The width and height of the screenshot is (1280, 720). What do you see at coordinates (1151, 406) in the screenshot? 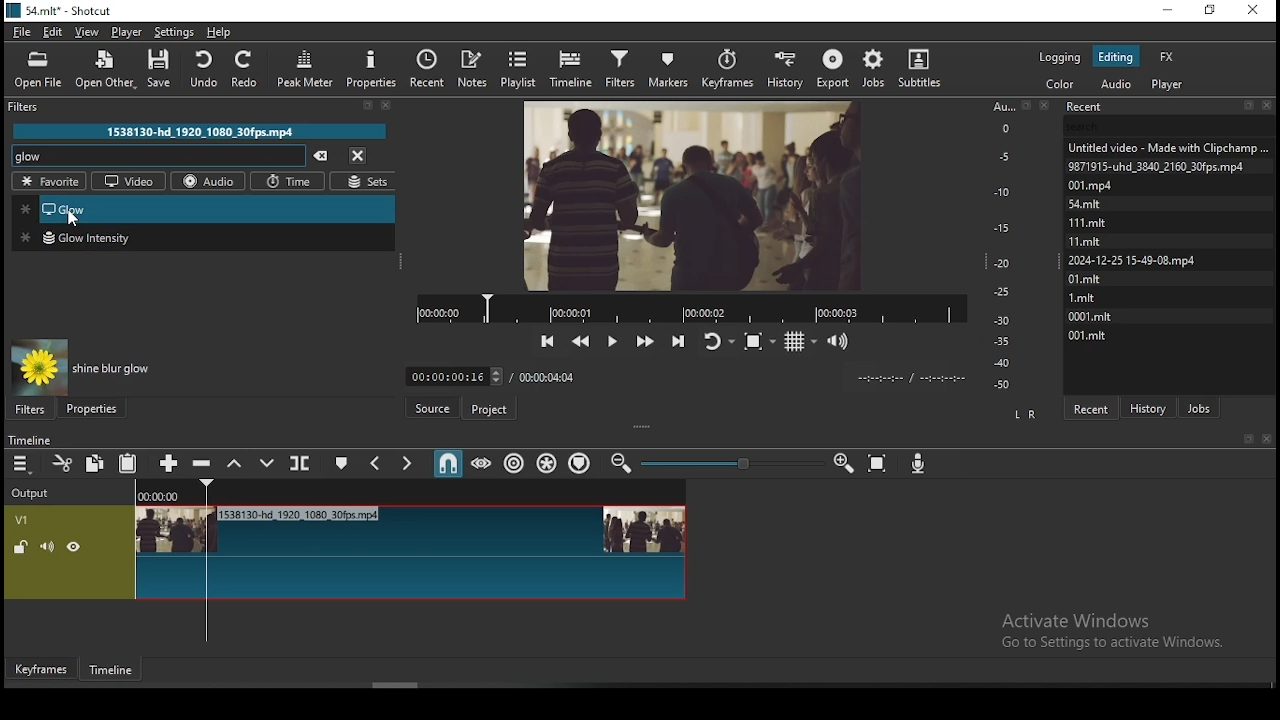
I see `history` at bounding box center [1151, 406].